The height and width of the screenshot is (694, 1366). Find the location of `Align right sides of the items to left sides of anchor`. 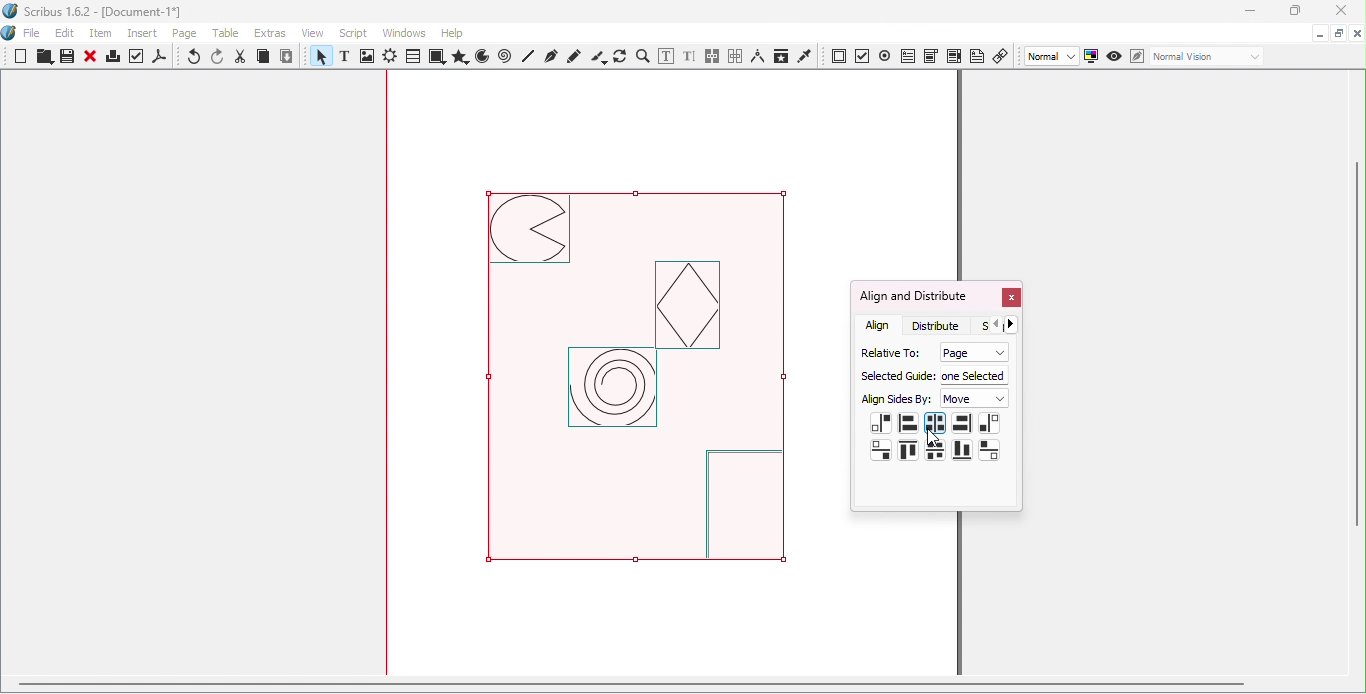

Align right sides of the items to left sides of anchor is located at coordinates (881, 424).